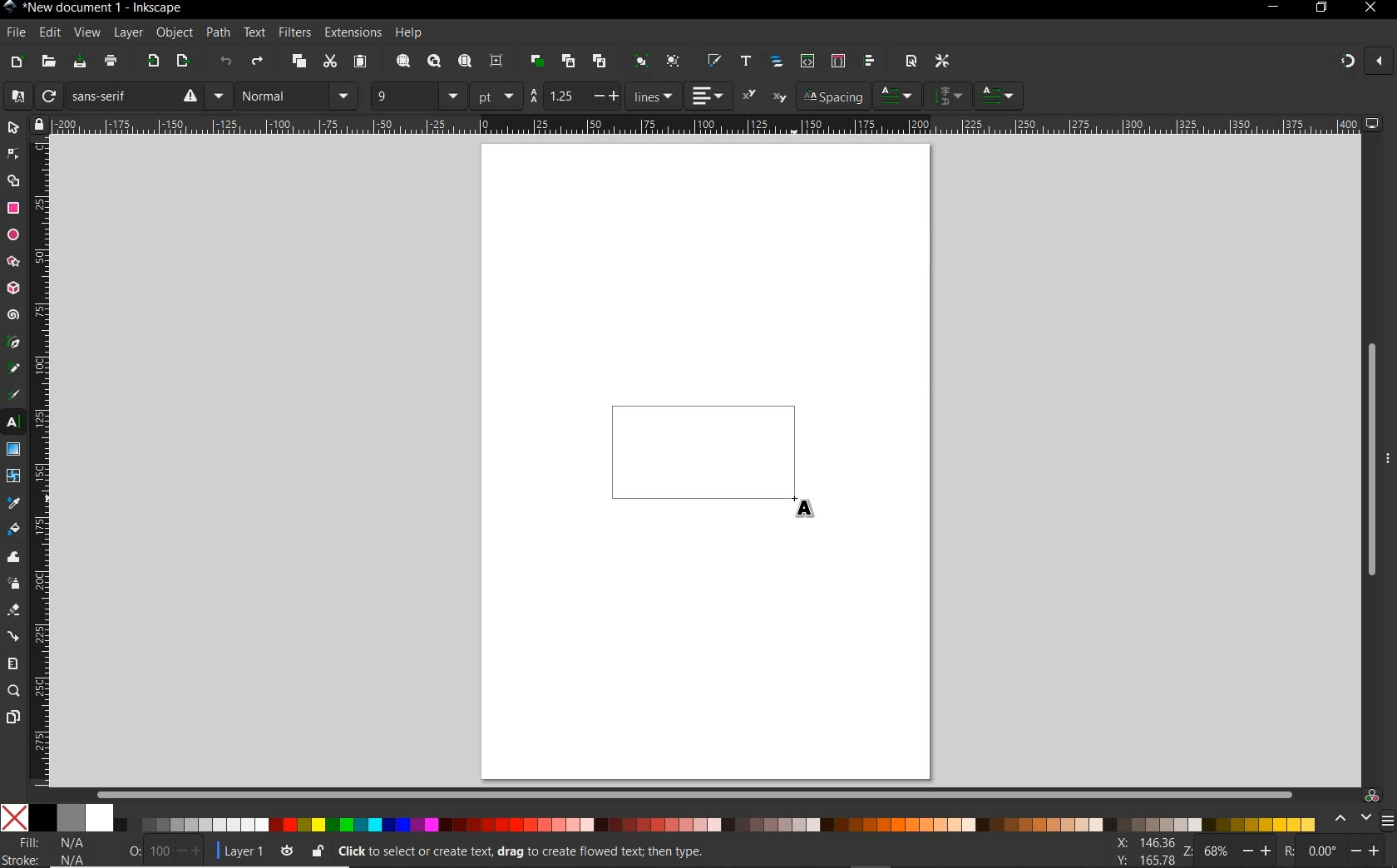  Describe the element at coordinates (41, 462) in the screenshot. I see `ruler` at that location.